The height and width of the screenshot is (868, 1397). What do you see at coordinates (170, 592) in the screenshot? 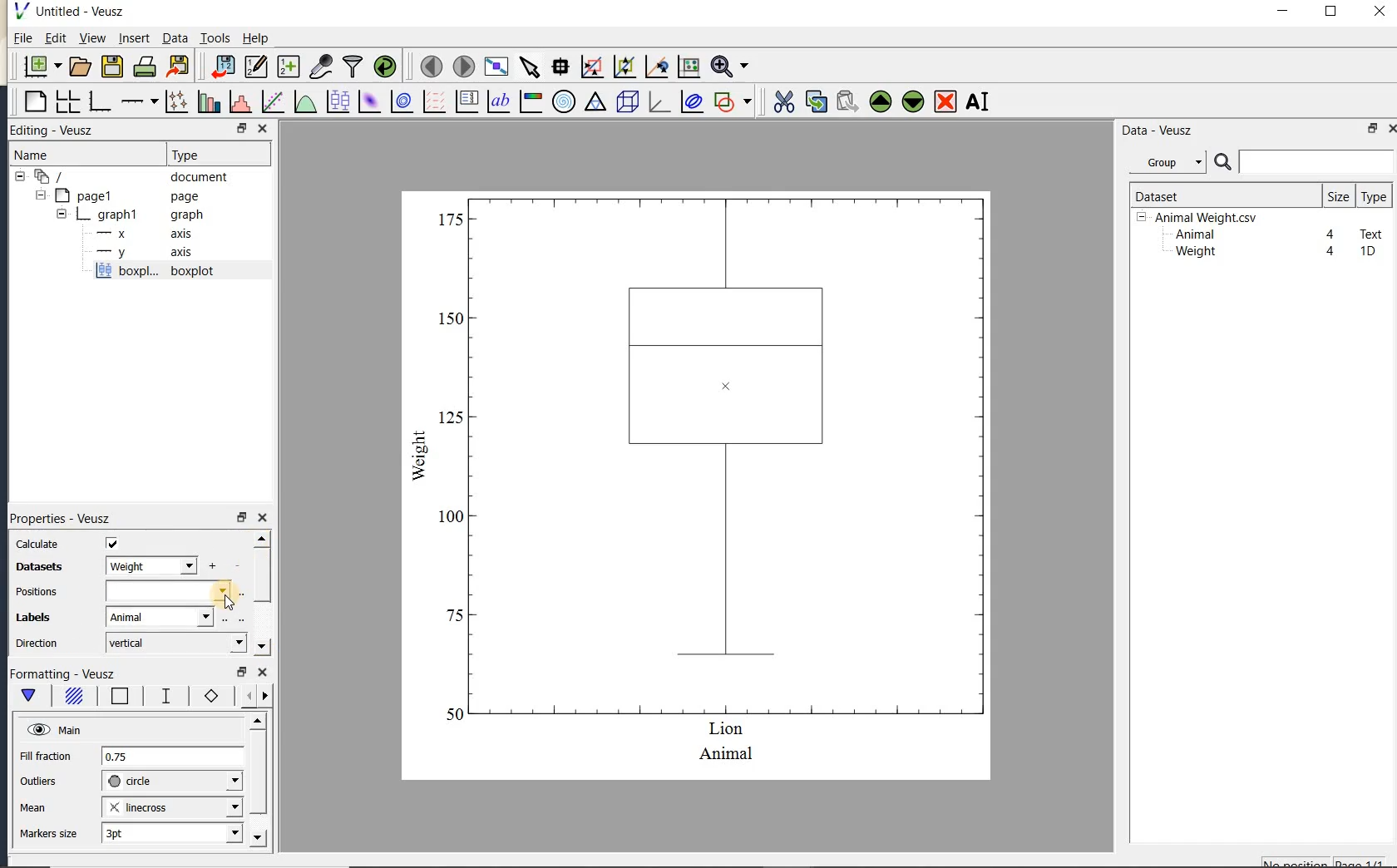
I see `input field` at bounding box center [170, 592].